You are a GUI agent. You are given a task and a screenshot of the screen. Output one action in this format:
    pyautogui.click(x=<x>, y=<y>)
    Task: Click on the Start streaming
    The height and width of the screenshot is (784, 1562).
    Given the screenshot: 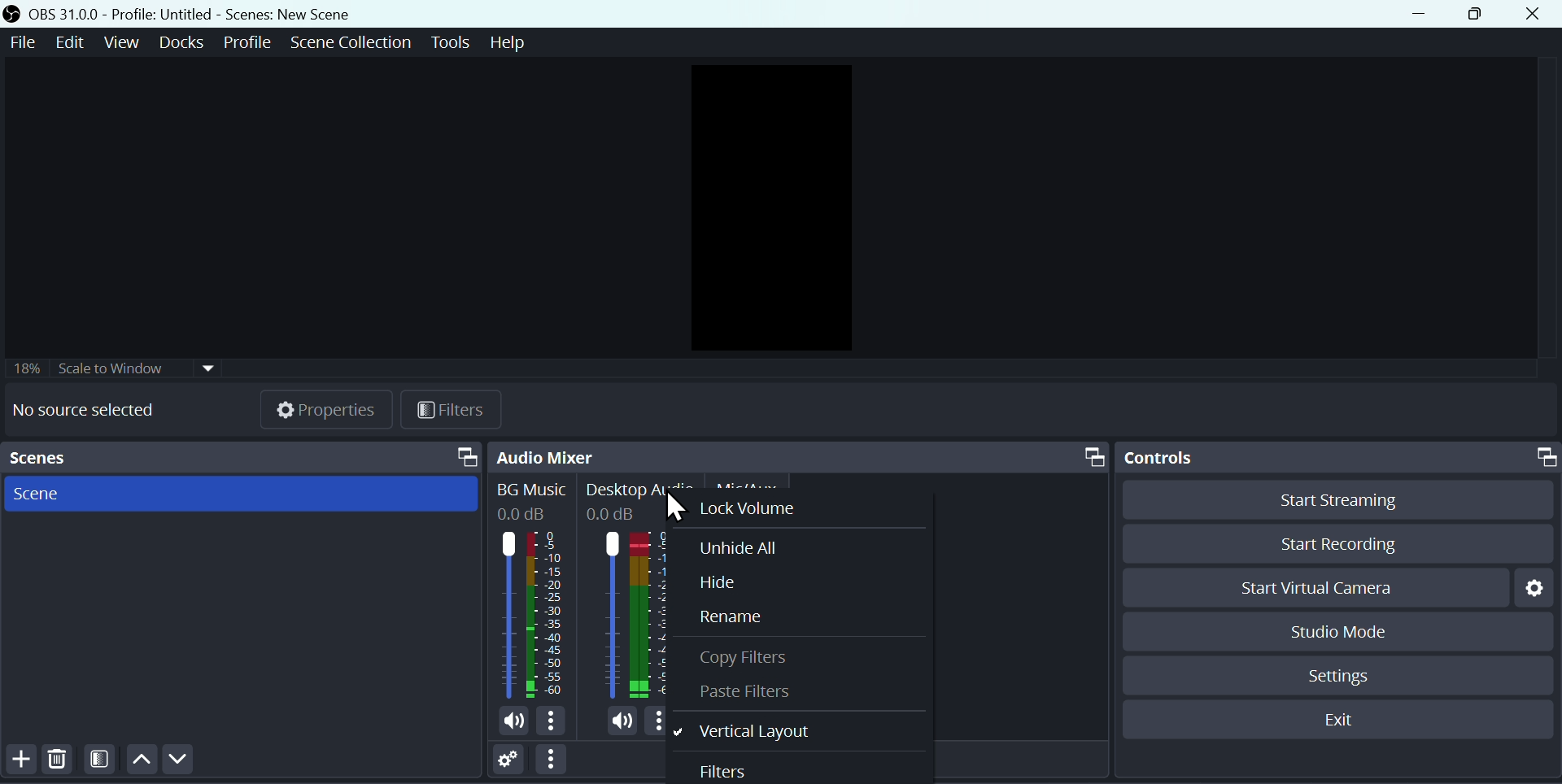 What is the action you would take?
    pyautogui.click(x=1327, y=504)
    